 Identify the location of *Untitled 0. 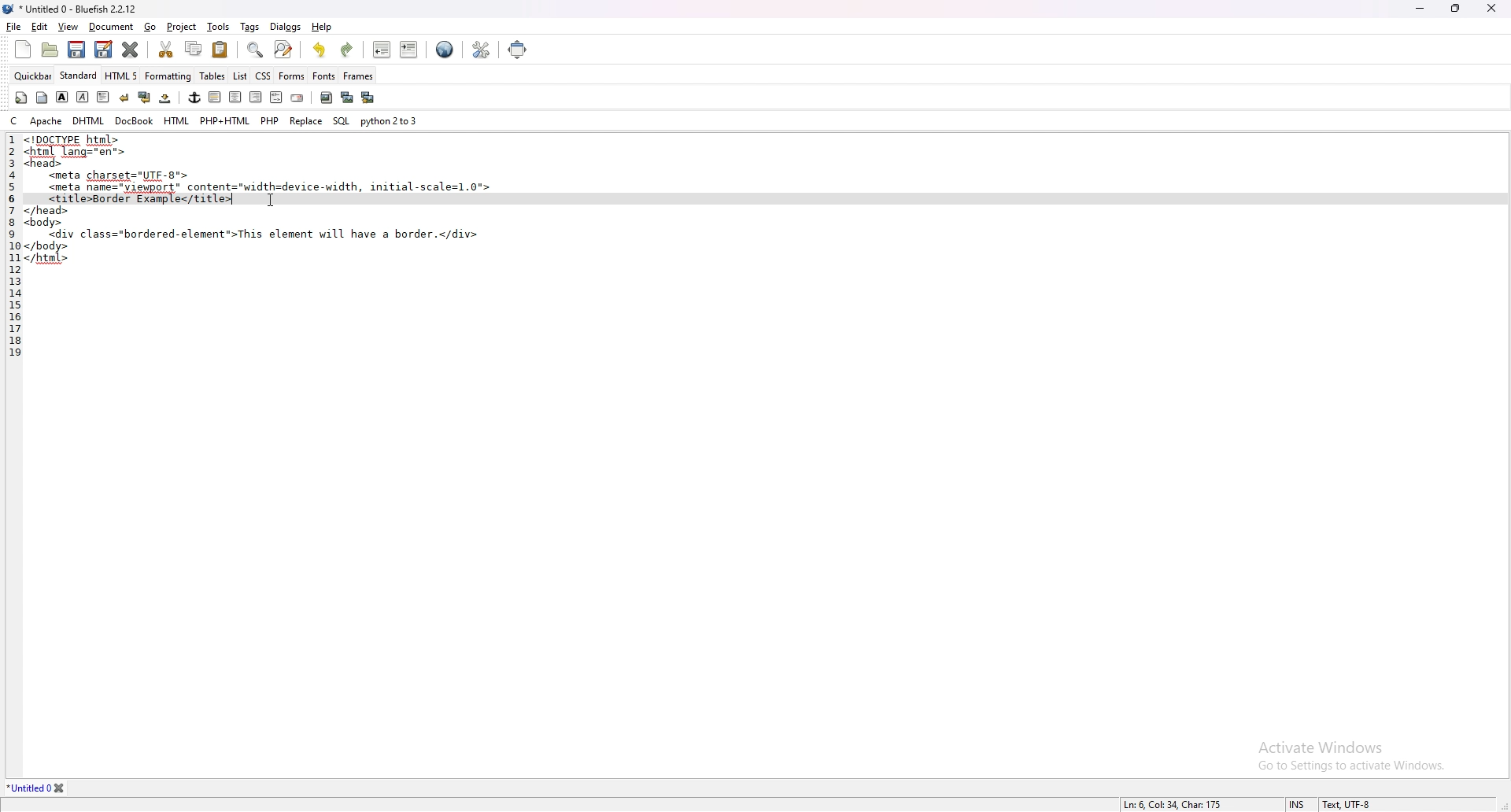
(38, 788).